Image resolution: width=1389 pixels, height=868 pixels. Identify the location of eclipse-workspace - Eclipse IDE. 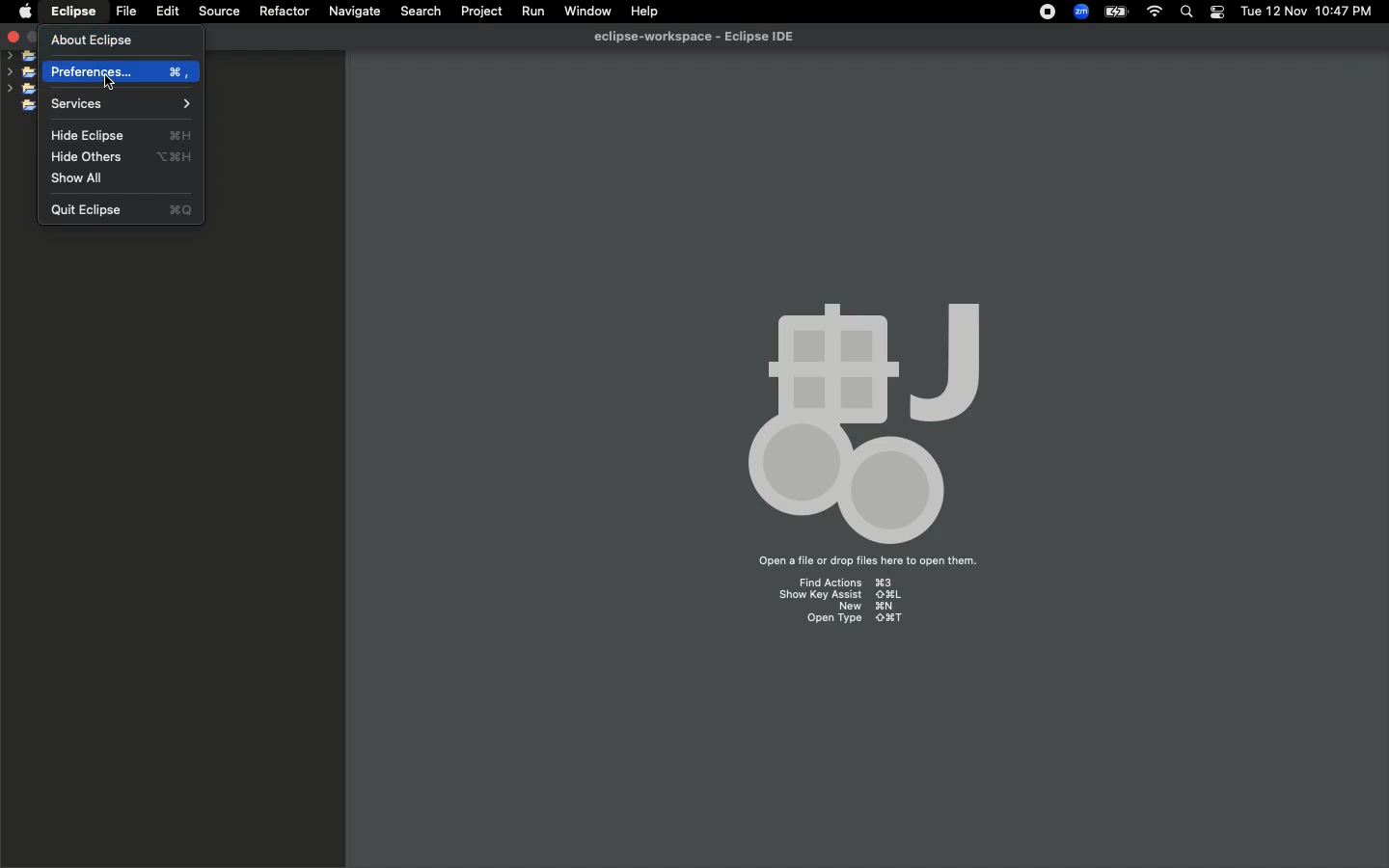
(699, 36).